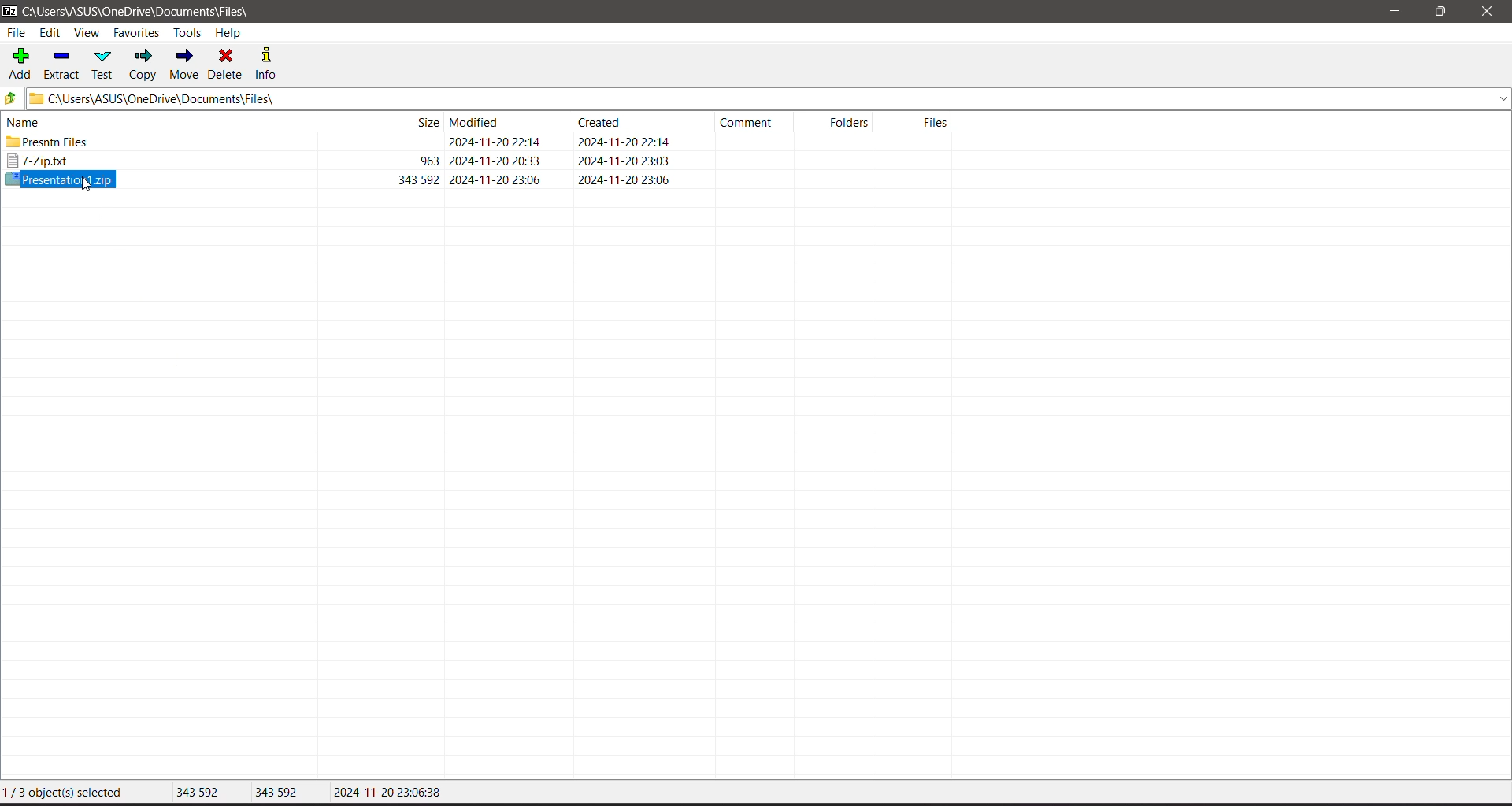 The height and width of the screenshot is (806, 1512). I want to click on Extract, so click(62, 63).